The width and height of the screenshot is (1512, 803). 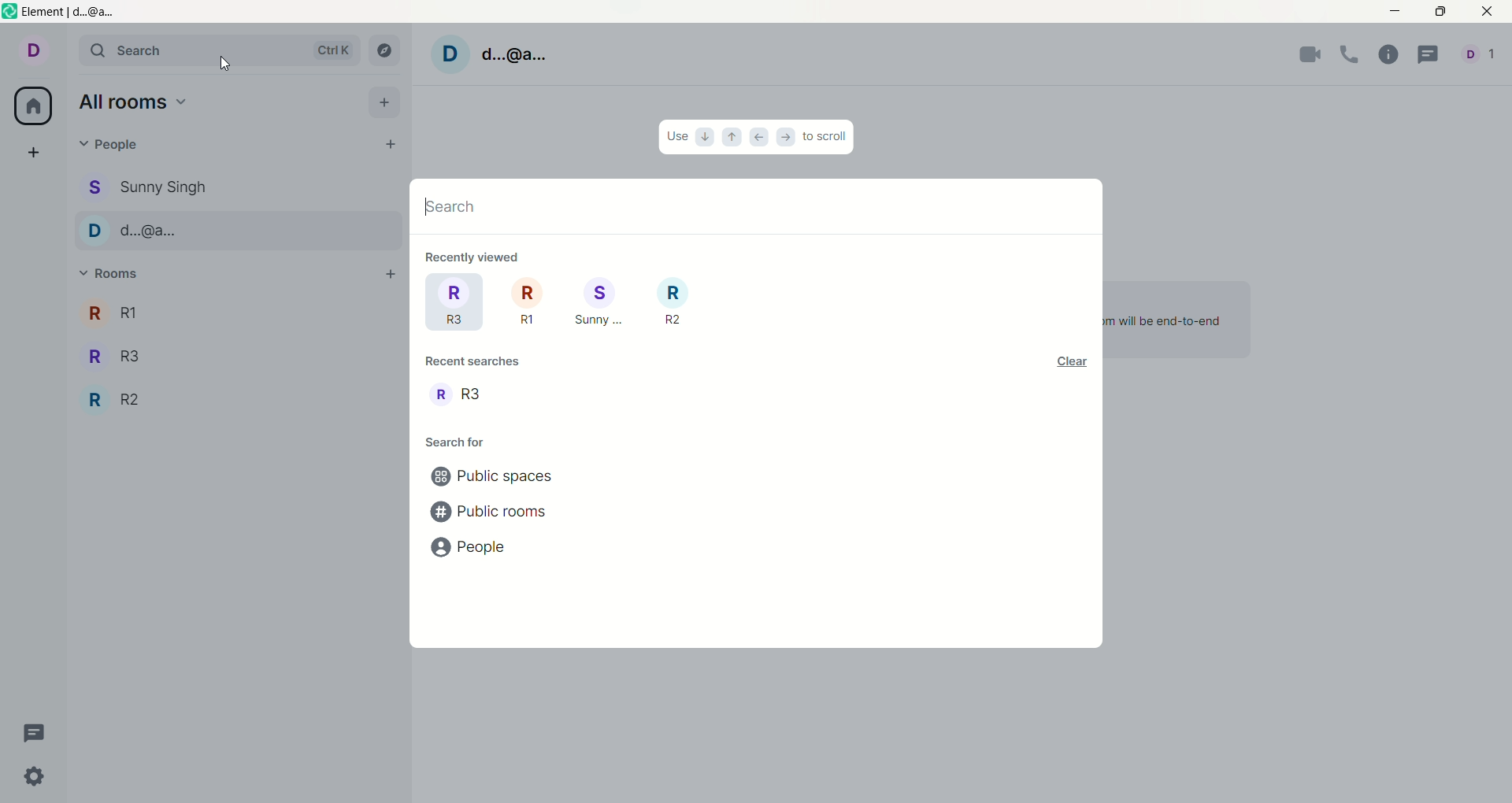 I want to click on maximize, so click(x=1440, y=13).